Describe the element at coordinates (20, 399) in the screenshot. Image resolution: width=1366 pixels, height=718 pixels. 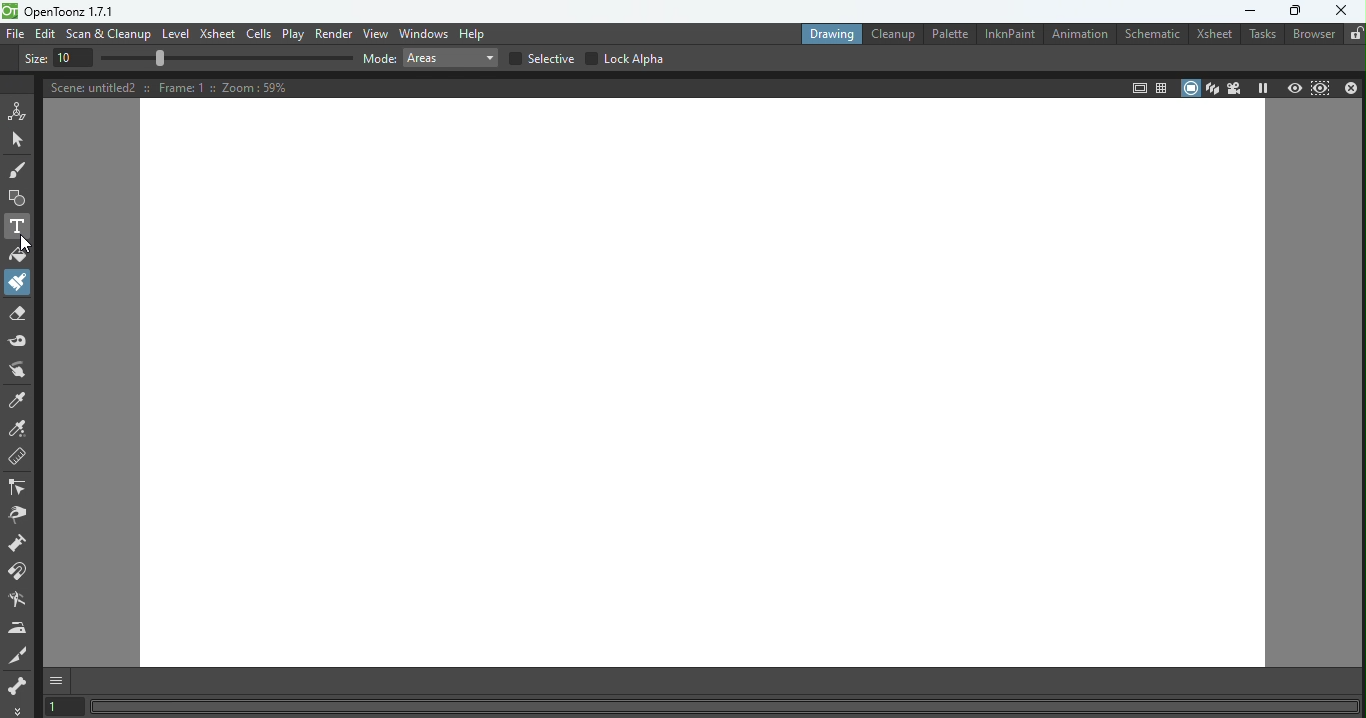
I see `Style picker tool` at that location.